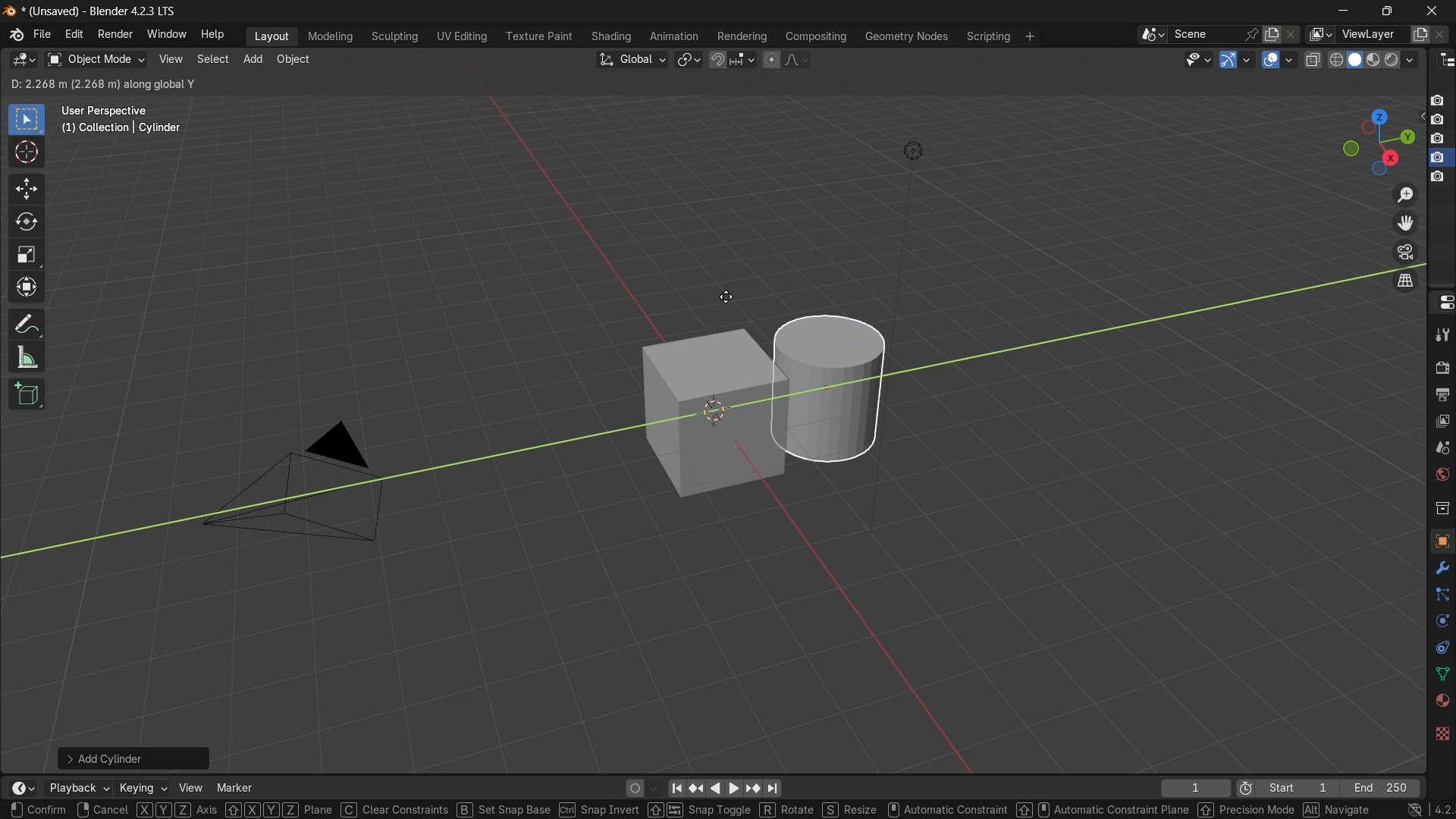  What do you see at coordinates (27, 358) in the screenshot?
I see `measure` at bounding box center [27, 358].